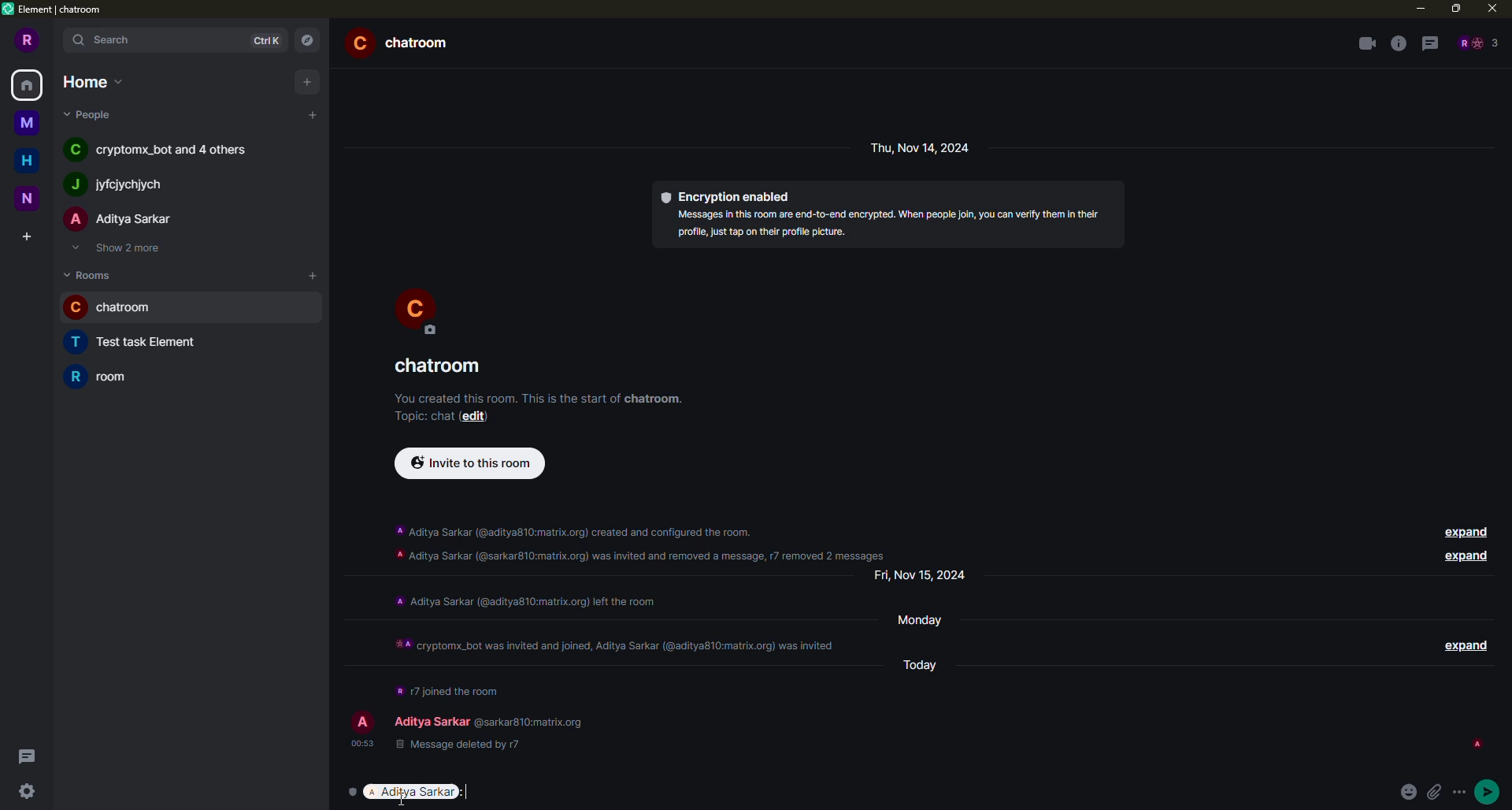 Image resolution: width=1512 pixels, height=810 pixels. Describe the element at coordinates (91, 114) in the screenshot. I see `people` at that location.